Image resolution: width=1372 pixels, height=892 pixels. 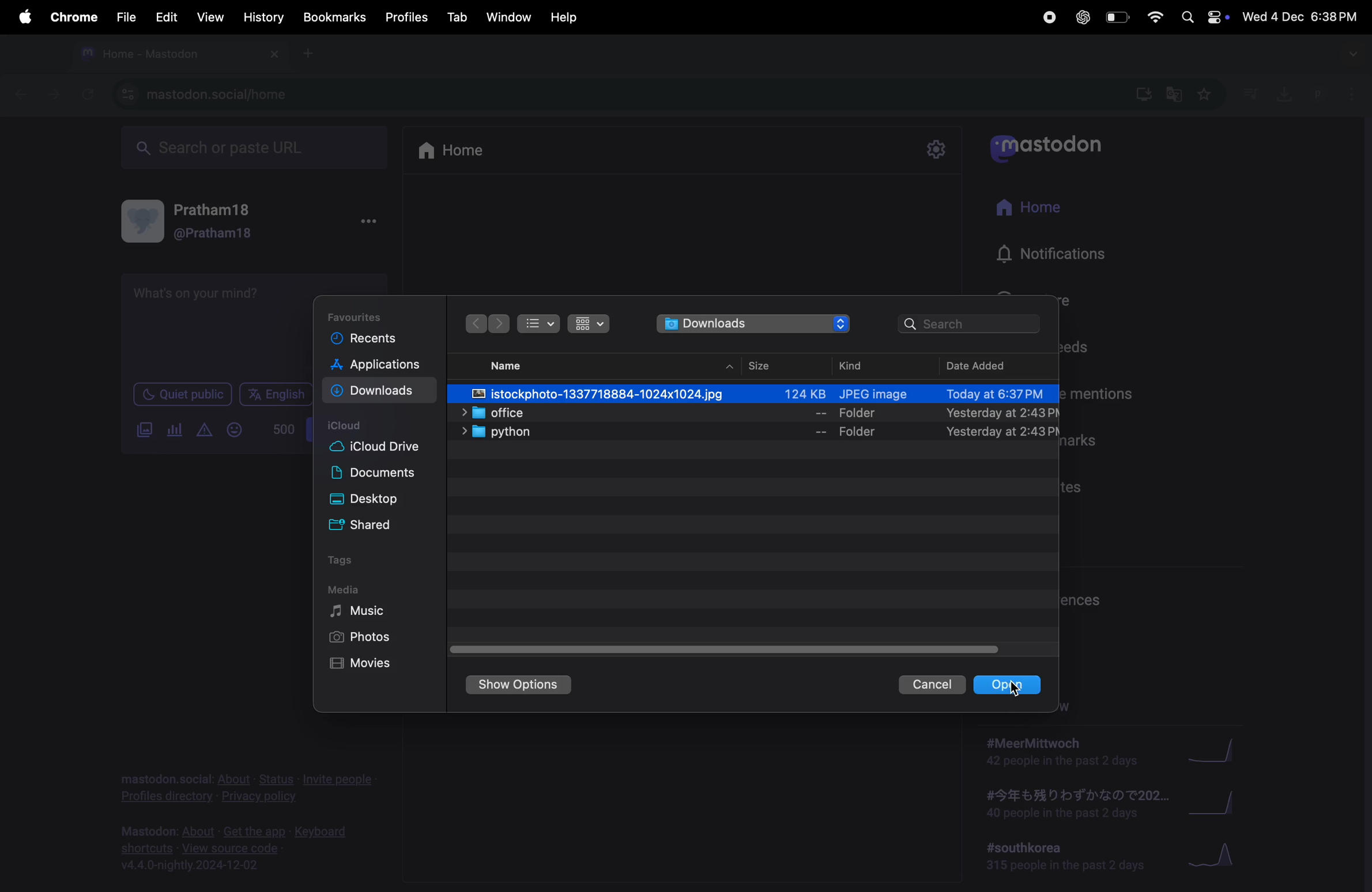 What do you see at coordinates (408, 17) in the screenshot?
I see `profiles` at bounding box center [408, 17].